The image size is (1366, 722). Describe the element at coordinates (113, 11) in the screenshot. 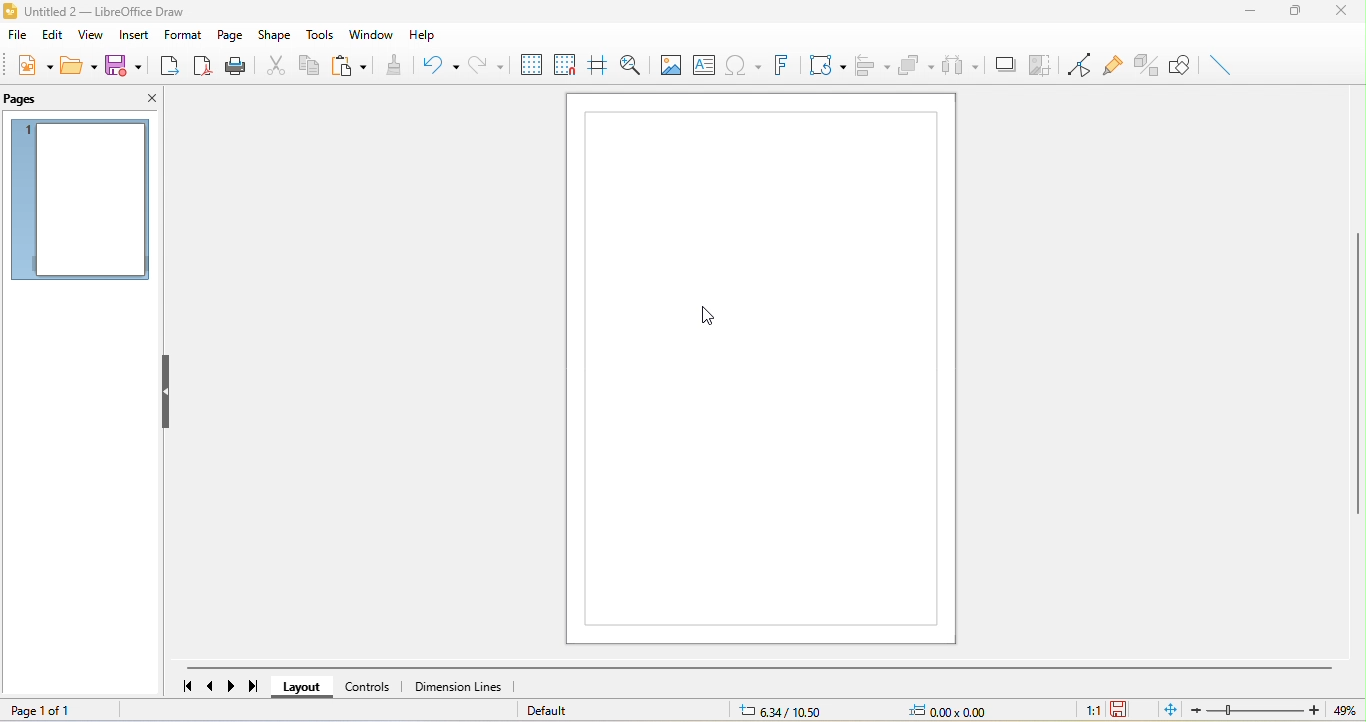

I see `Untitled 2 — LibreOffice Draw` at that location.